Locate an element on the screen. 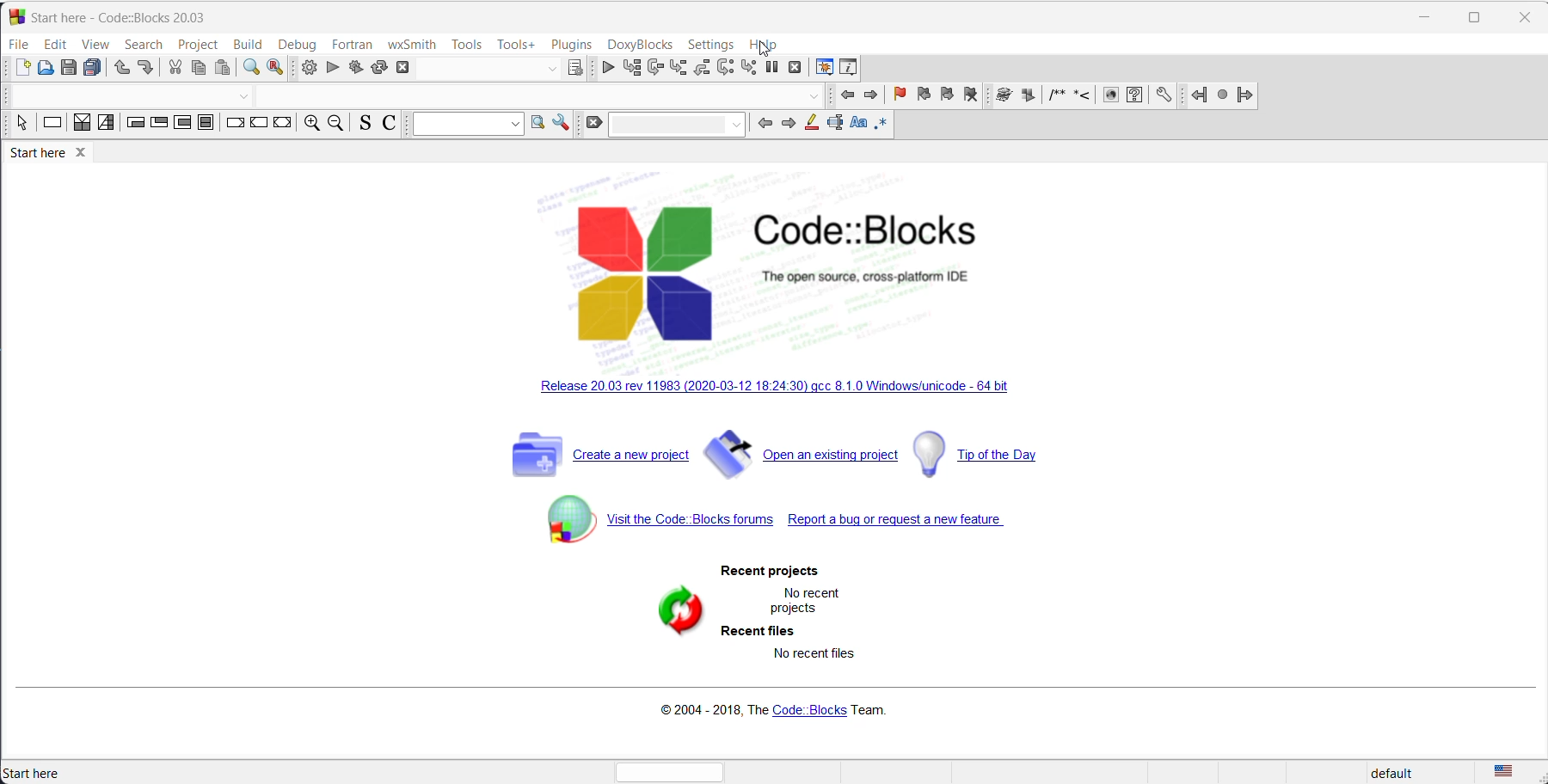 The width and height of the screenshot is (1548, 784). continue instruction is located at coordinates (259, 125).